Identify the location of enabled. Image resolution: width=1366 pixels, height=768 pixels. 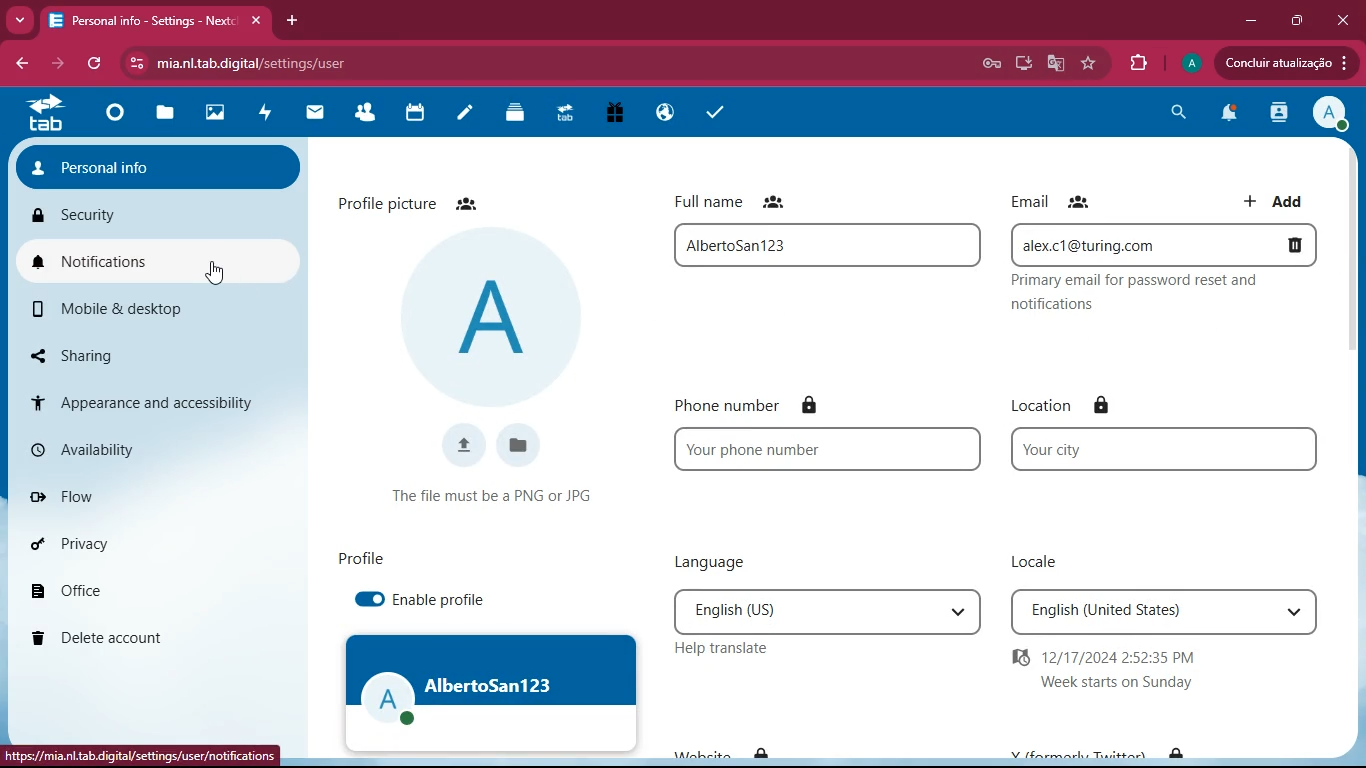
(364, 601).